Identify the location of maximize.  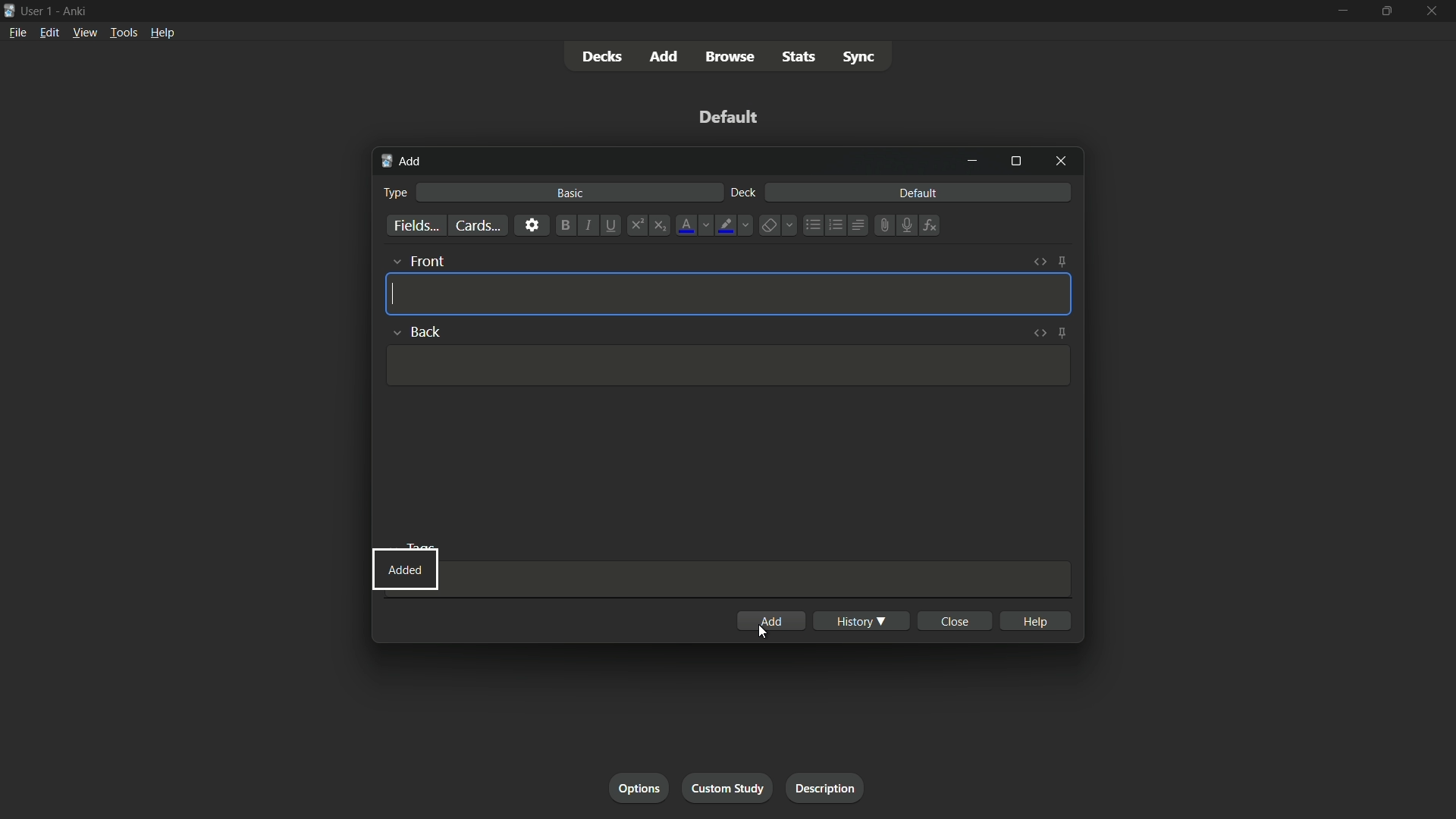
(1015, 162).